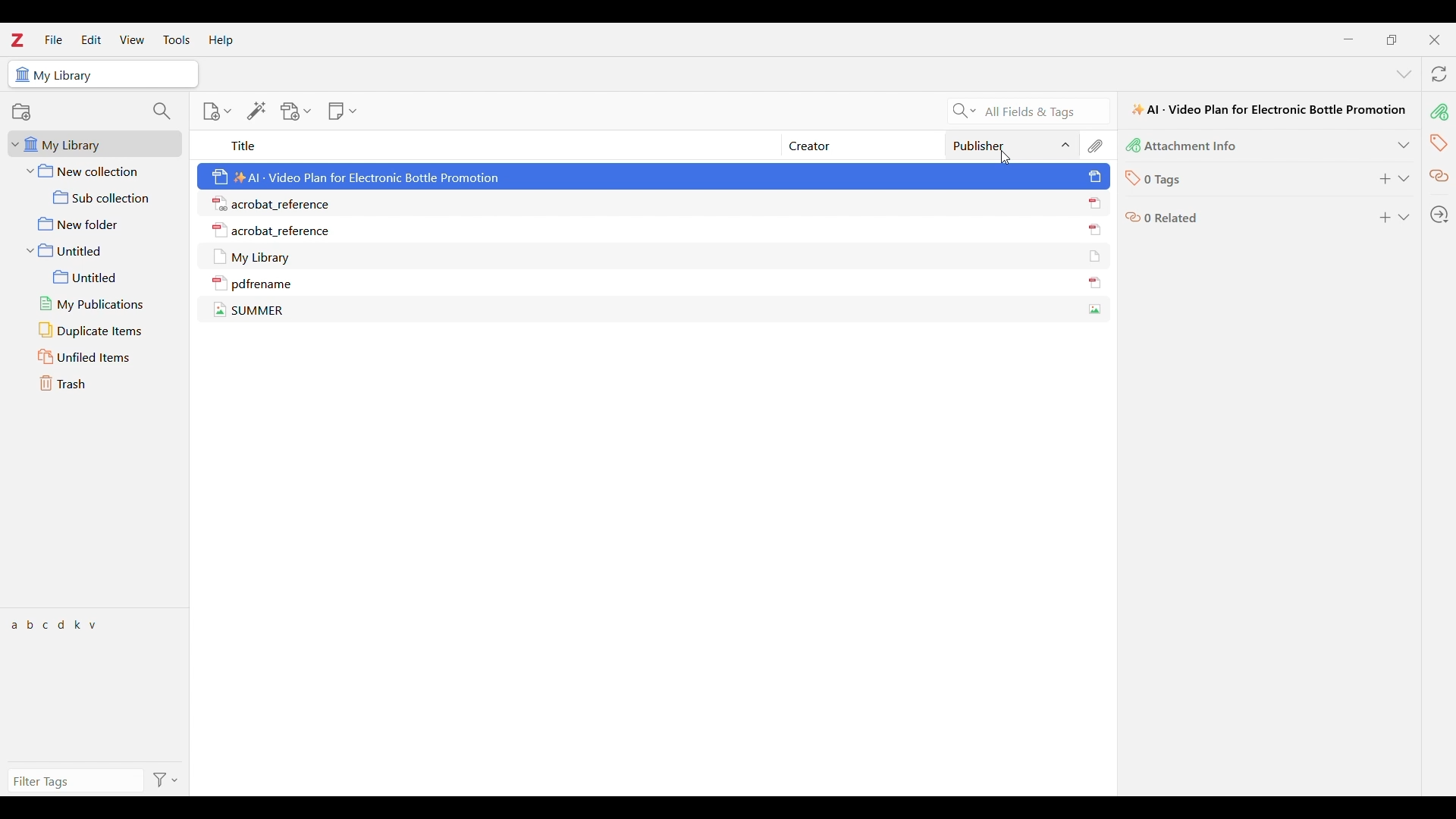 The width and height of the screenshot is (1456, 819). Describe the element at coordinates (95, 197) in the screenshot. I see `Sub collection` at that location.